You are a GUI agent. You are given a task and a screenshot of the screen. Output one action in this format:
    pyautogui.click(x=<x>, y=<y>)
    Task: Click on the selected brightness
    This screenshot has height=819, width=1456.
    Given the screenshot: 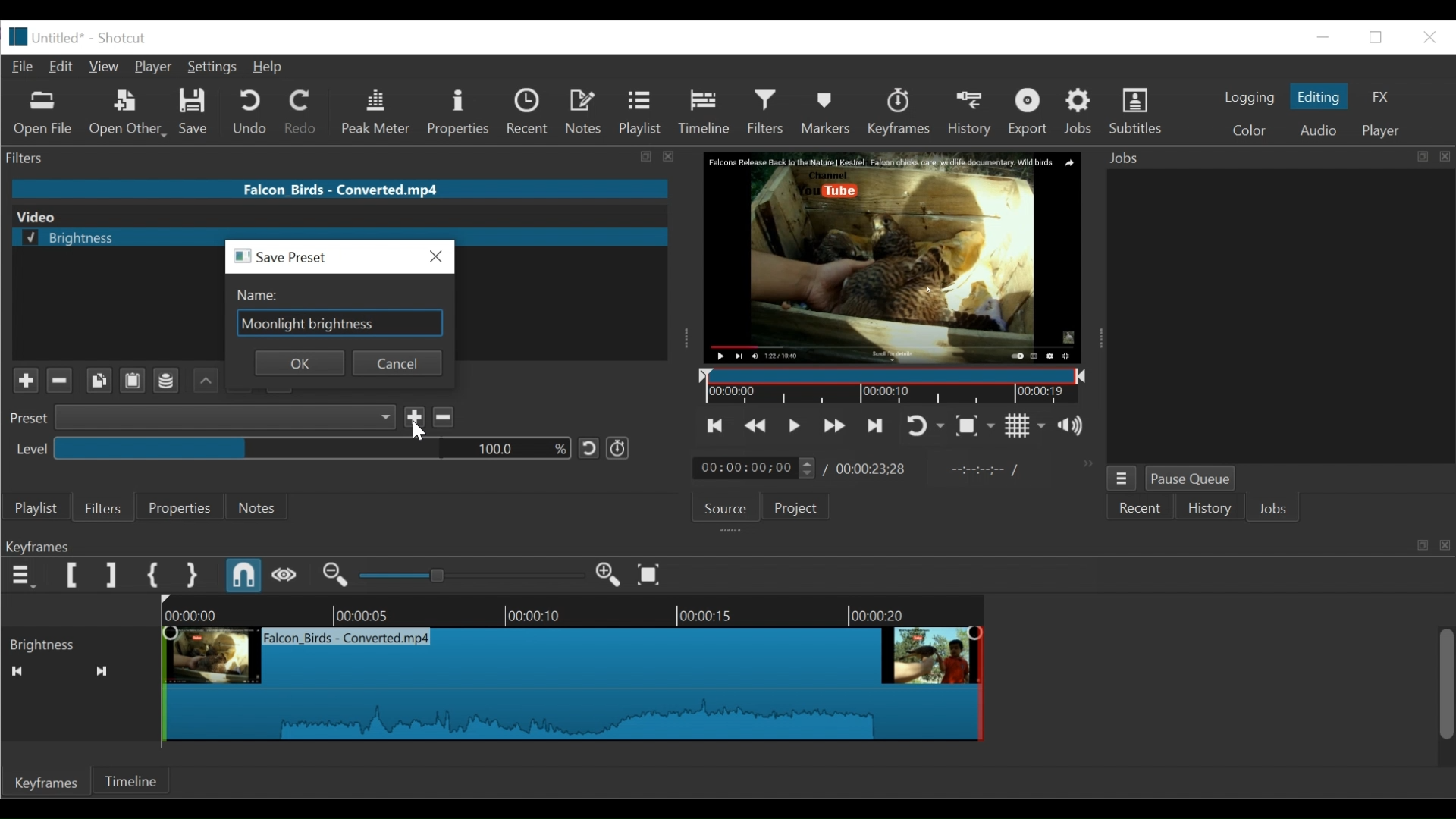 What is the action you would take?
    pyautogui.click(x=107, y=238)
    